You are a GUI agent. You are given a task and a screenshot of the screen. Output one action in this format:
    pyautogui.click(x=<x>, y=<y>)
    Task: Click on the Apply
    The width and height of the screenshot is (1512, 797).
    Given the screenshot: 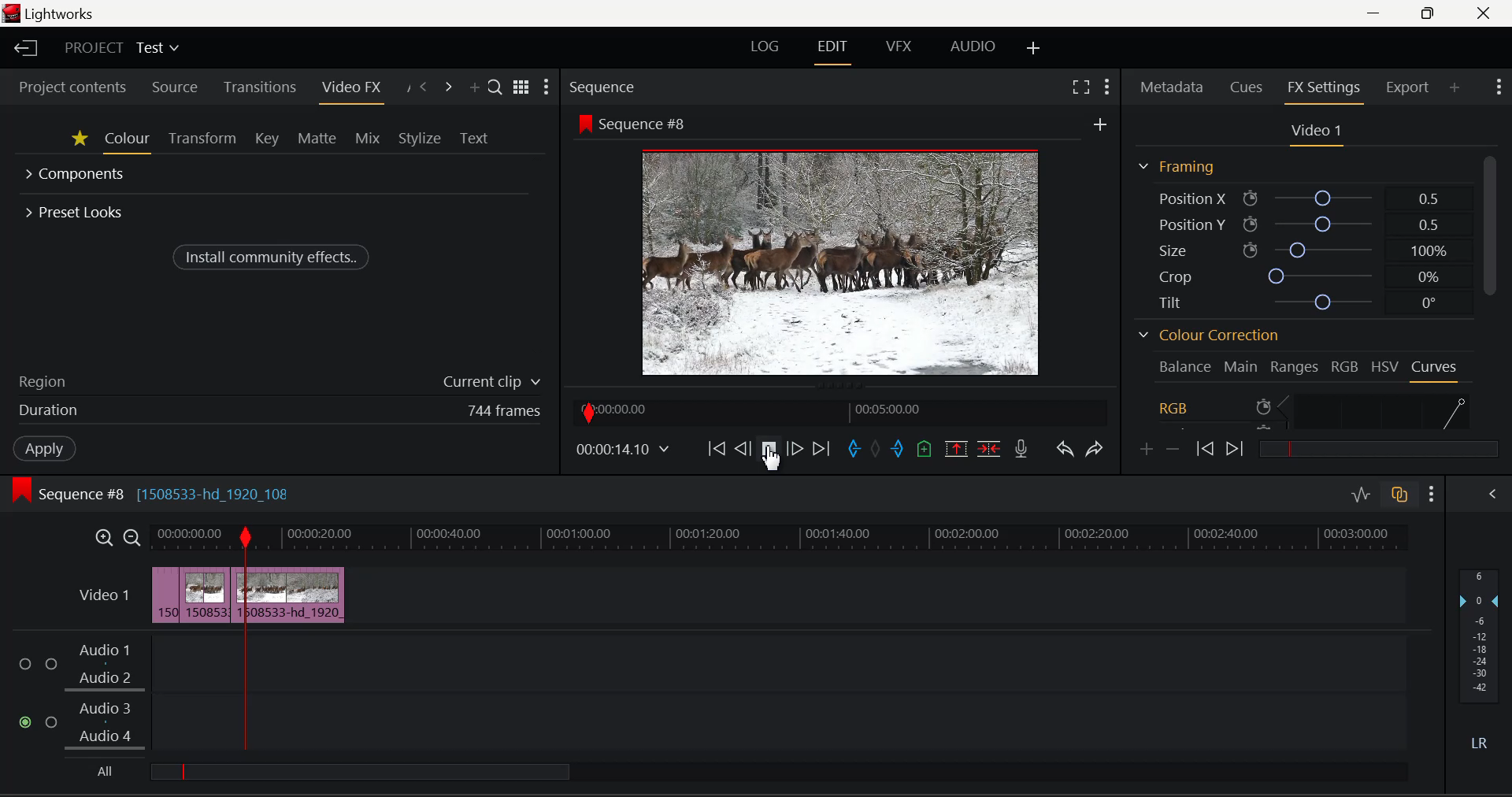 What is the action you would take?
    pyautogui.click(x=43, y=449)
    